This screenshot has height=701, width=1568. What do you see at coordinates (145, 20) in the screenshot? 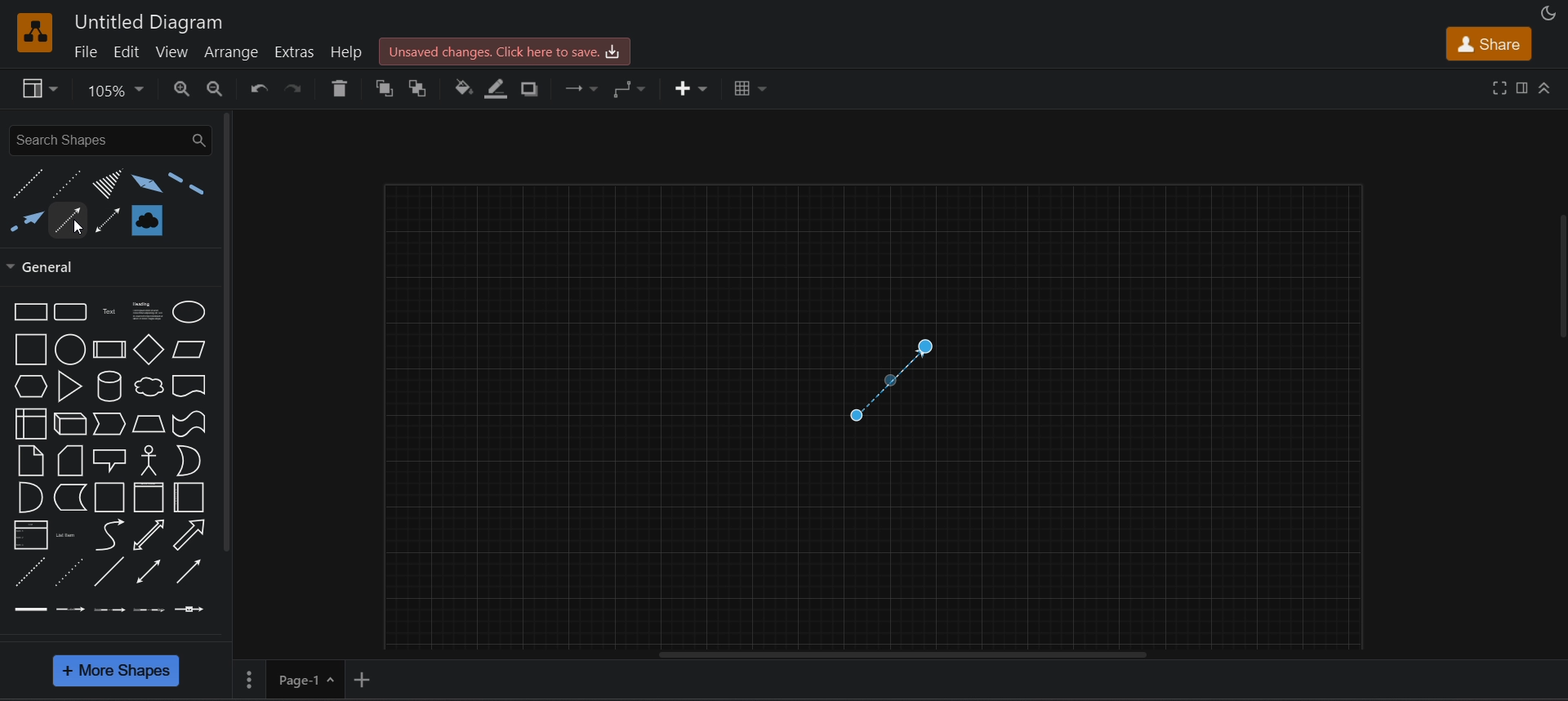
I see `Untitled diagram - title` at bounding box center [145, 20].